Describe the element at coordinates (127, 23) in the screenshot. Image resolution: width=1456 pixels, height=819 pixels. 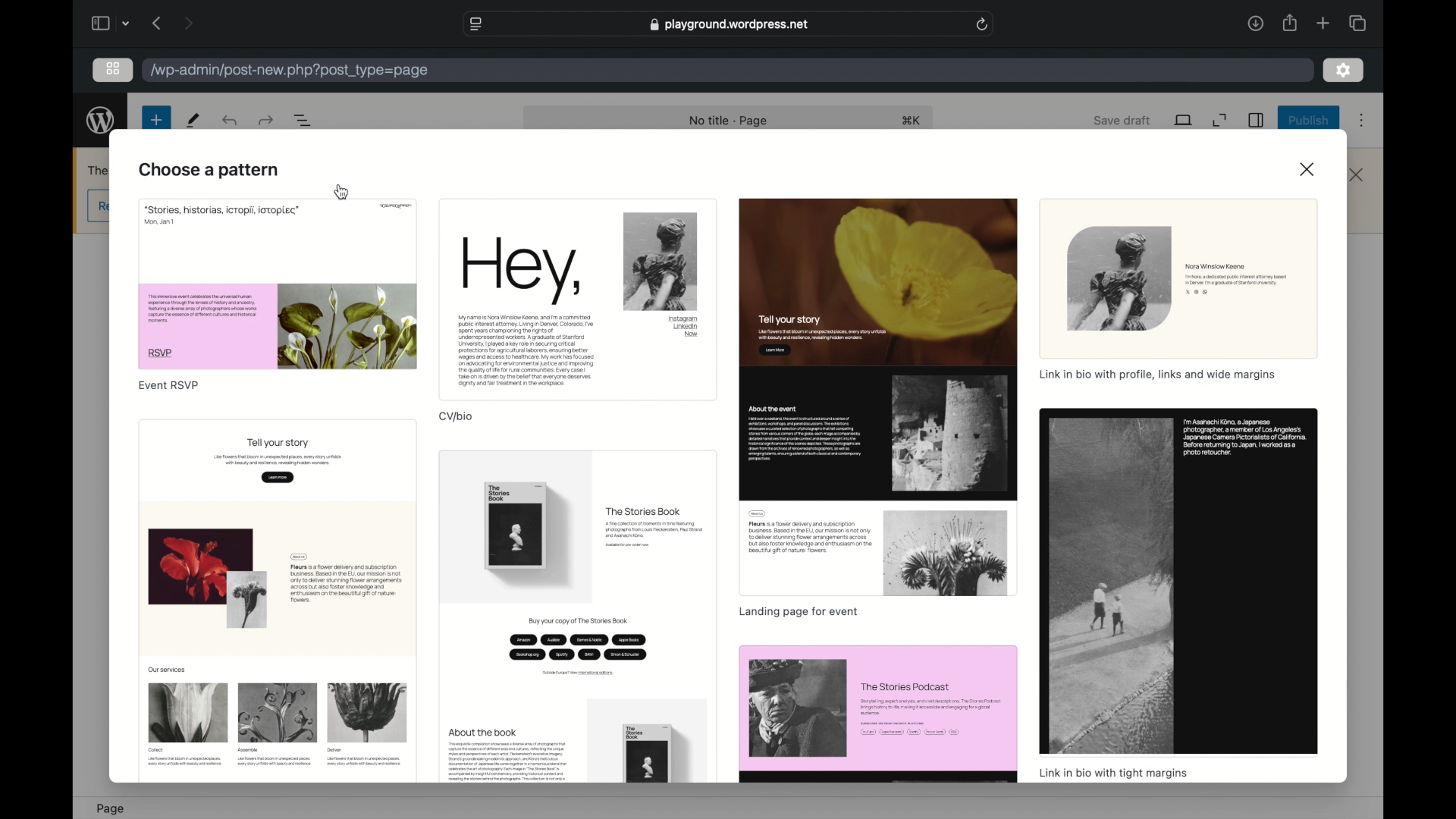
I see `dropdown` at that location.